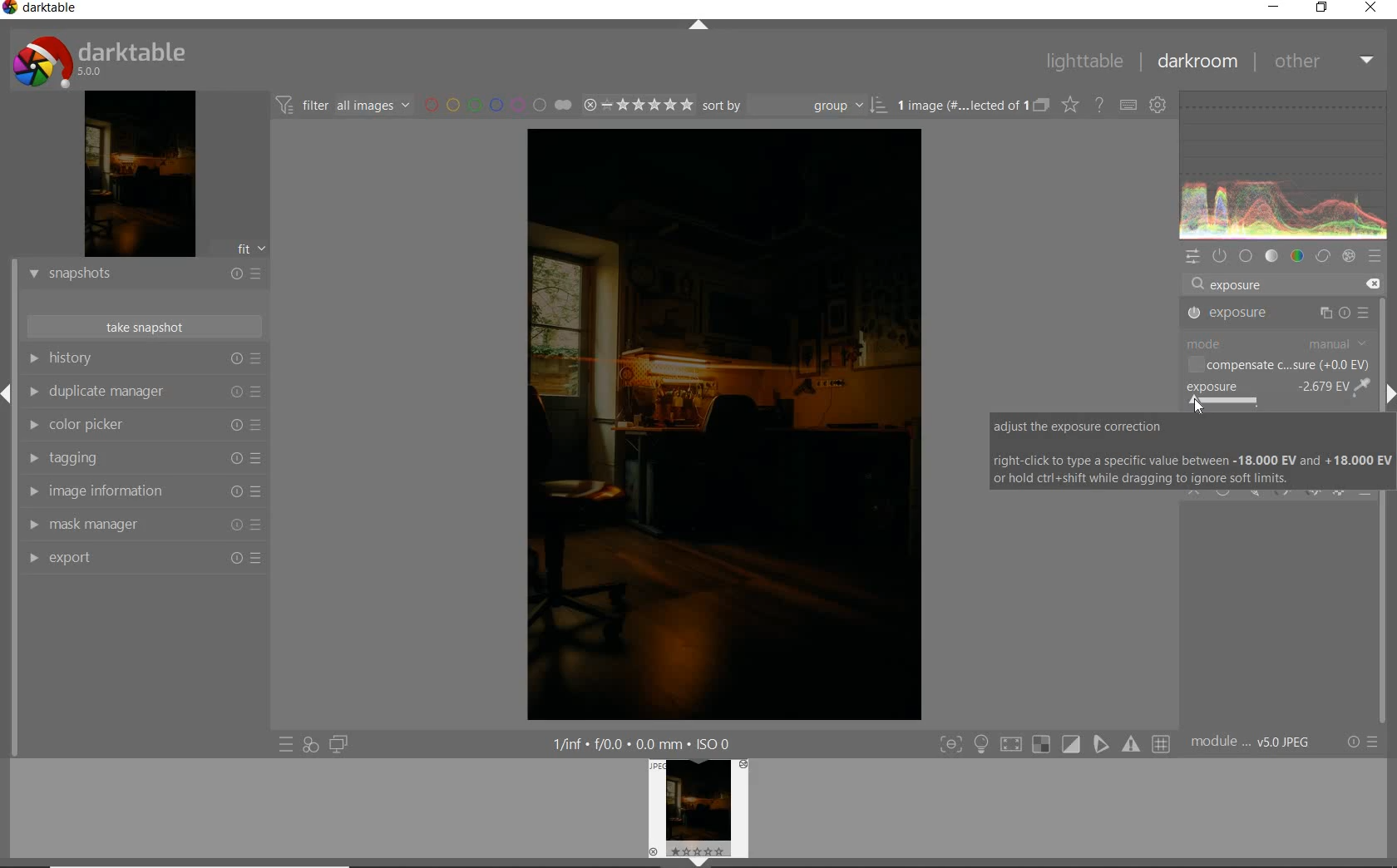  Describe the element at coordinates (1277, 392) in the screenshot. I see `exposure` at that location.